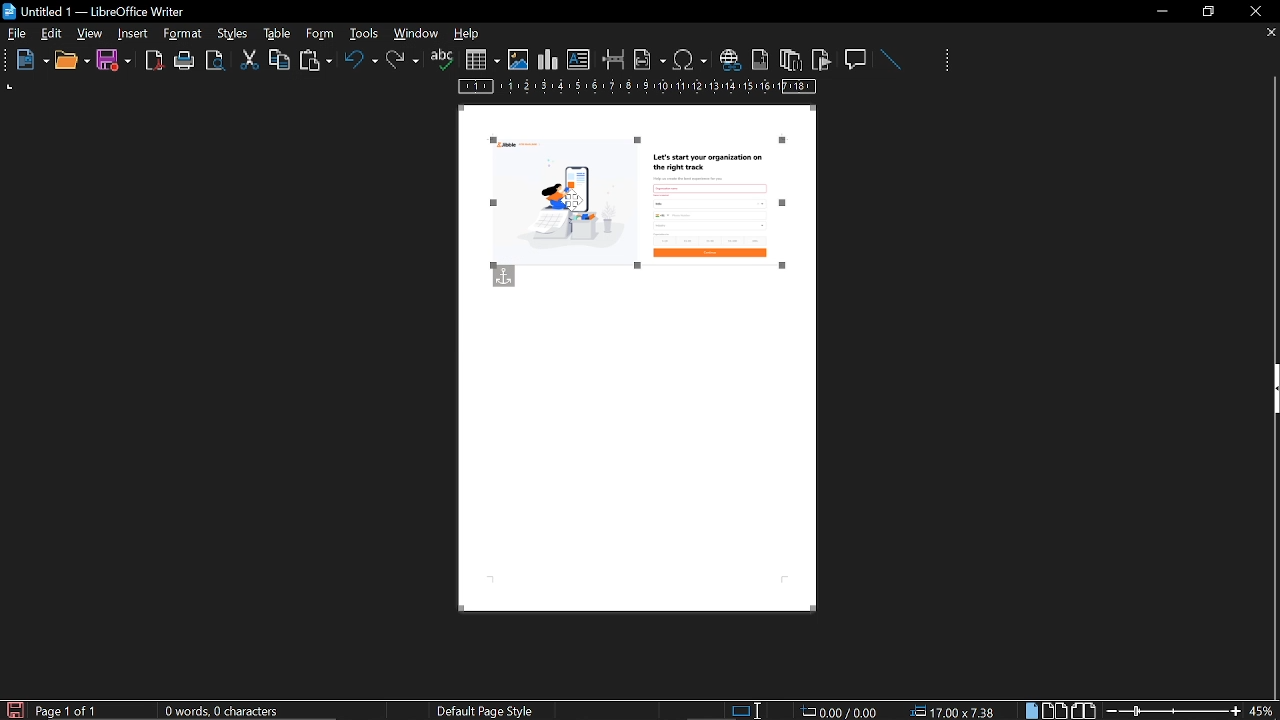  I want to click on insert table, so click(482, 60).